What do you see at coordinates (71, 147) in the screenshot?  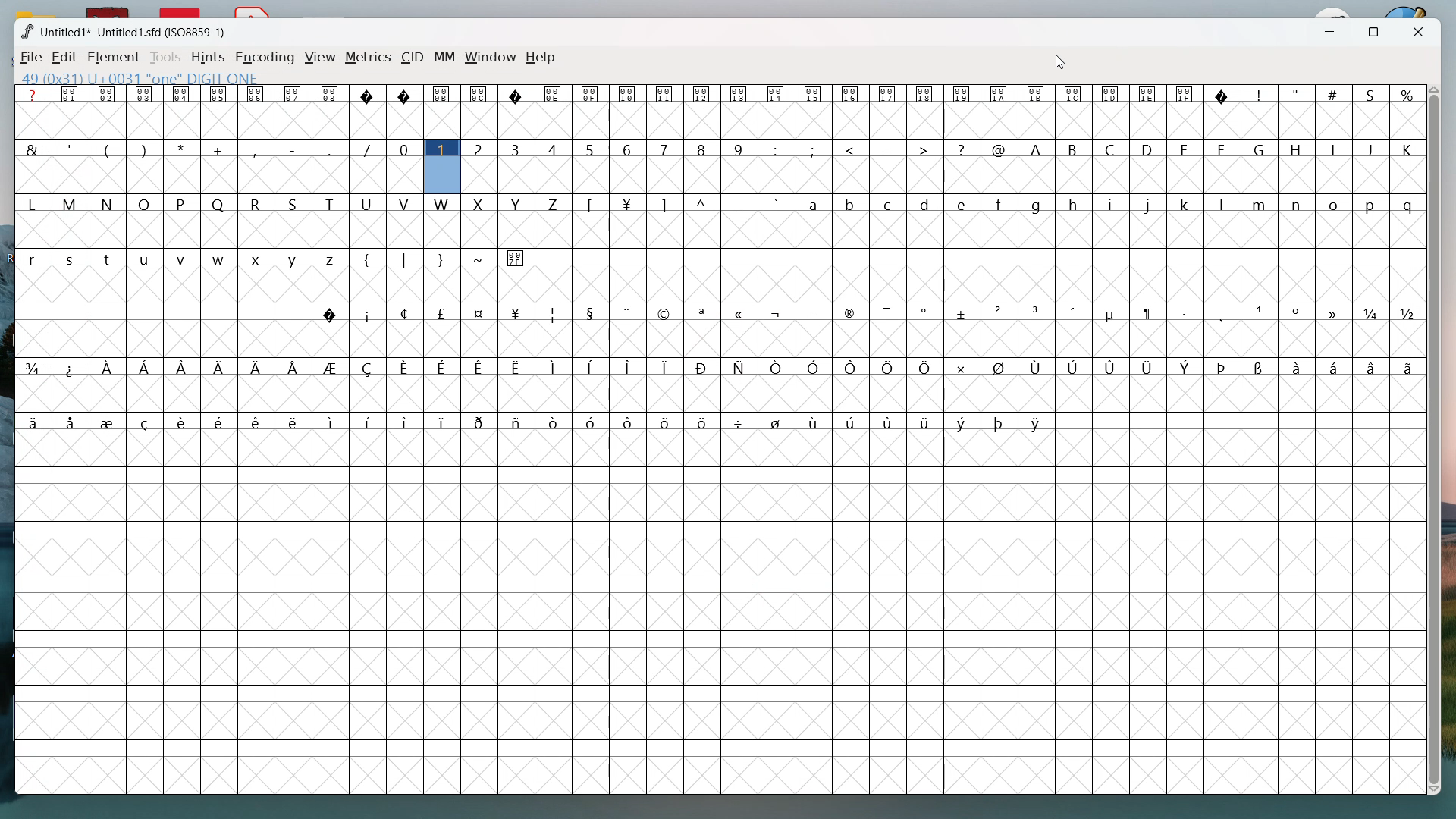 I see `'` at bounding box center [71, 147].